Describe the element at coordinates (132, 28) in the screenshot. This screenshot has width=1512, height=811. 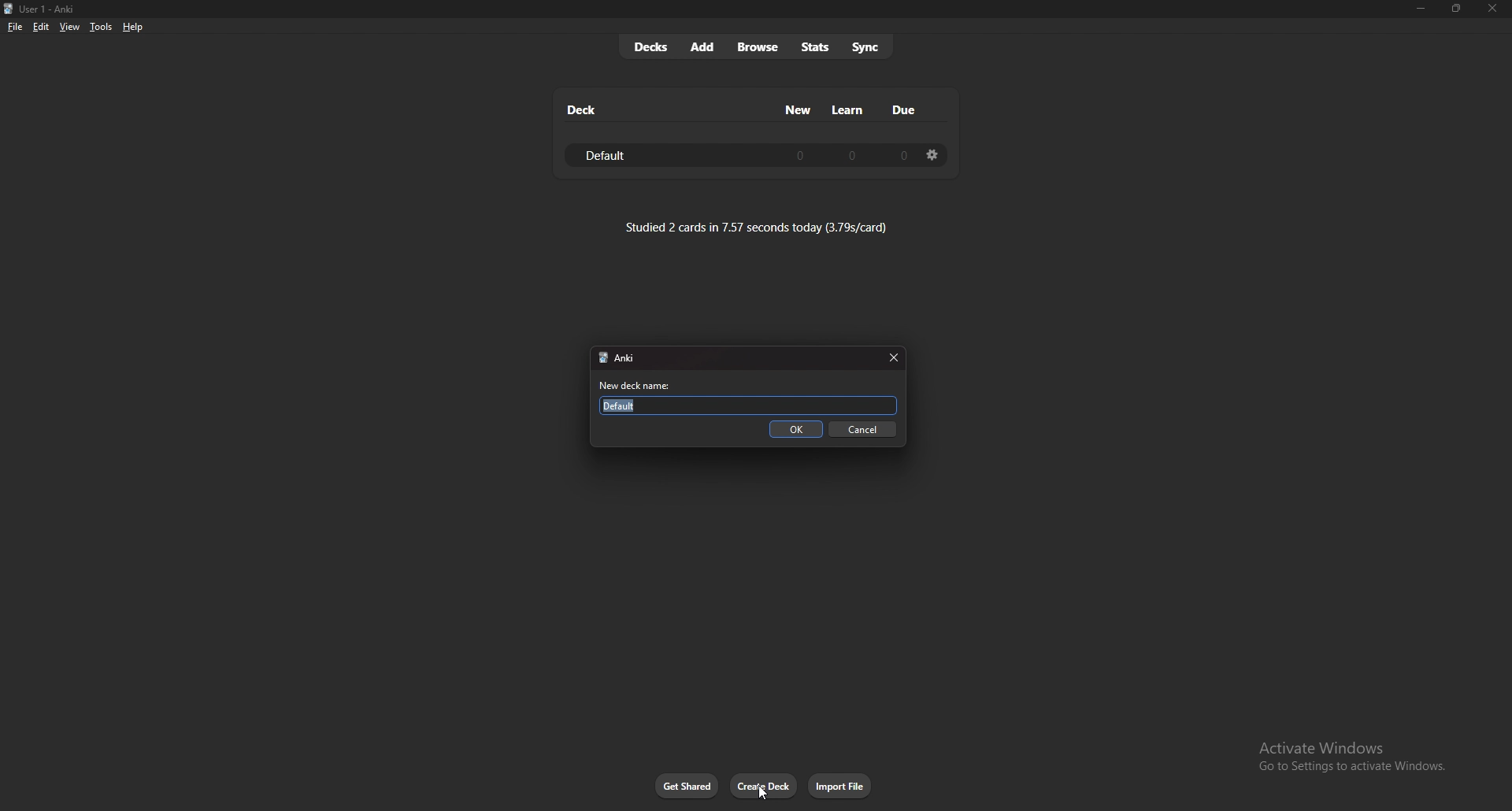
I see `help` at that location.